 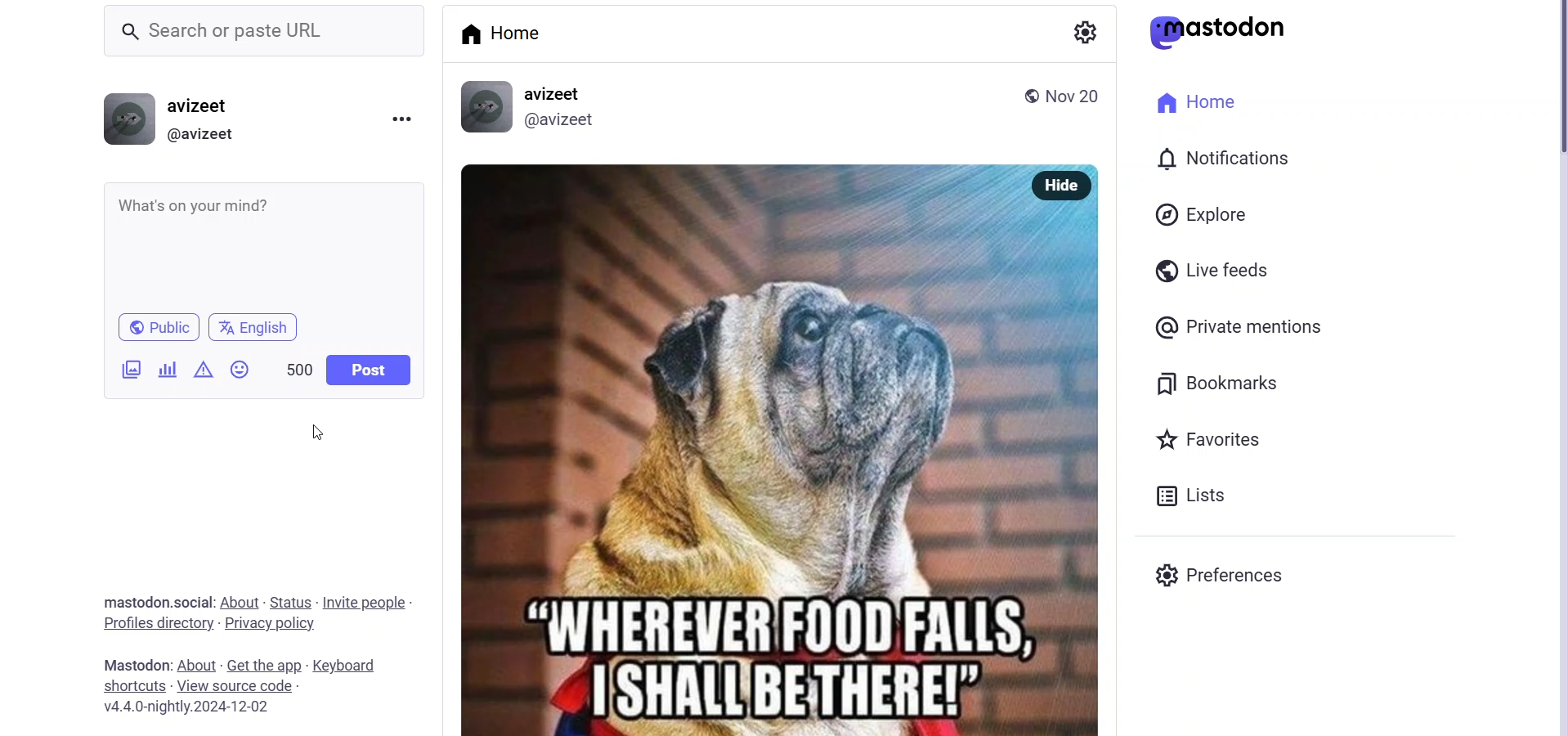 I want to click on live feeds, so click(x=1207, y=268).